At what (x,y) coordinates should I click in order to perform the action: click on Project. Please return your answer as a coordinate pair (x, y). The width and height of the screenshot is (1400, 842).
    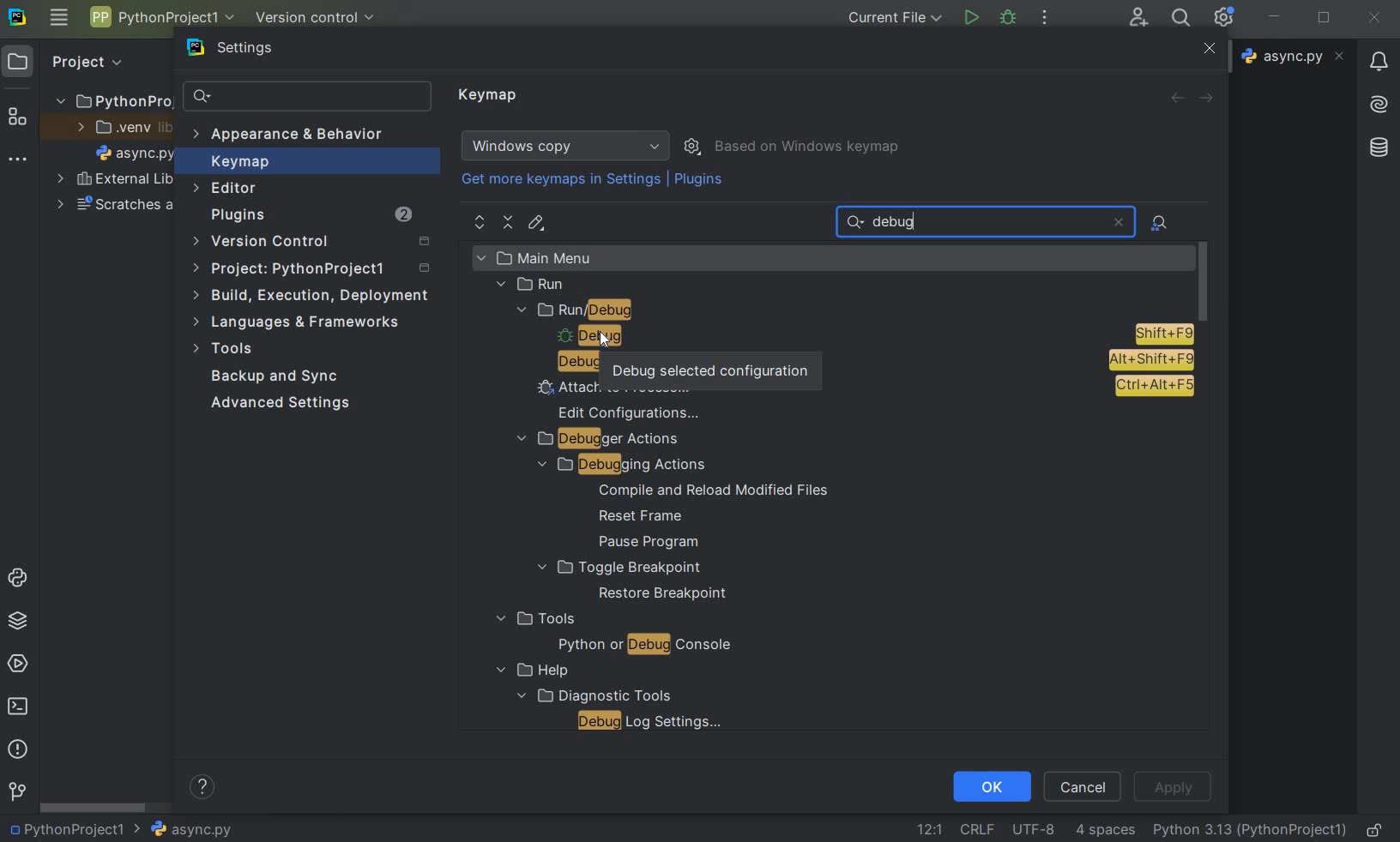
    Looking at the image, I should click on (85, 60).